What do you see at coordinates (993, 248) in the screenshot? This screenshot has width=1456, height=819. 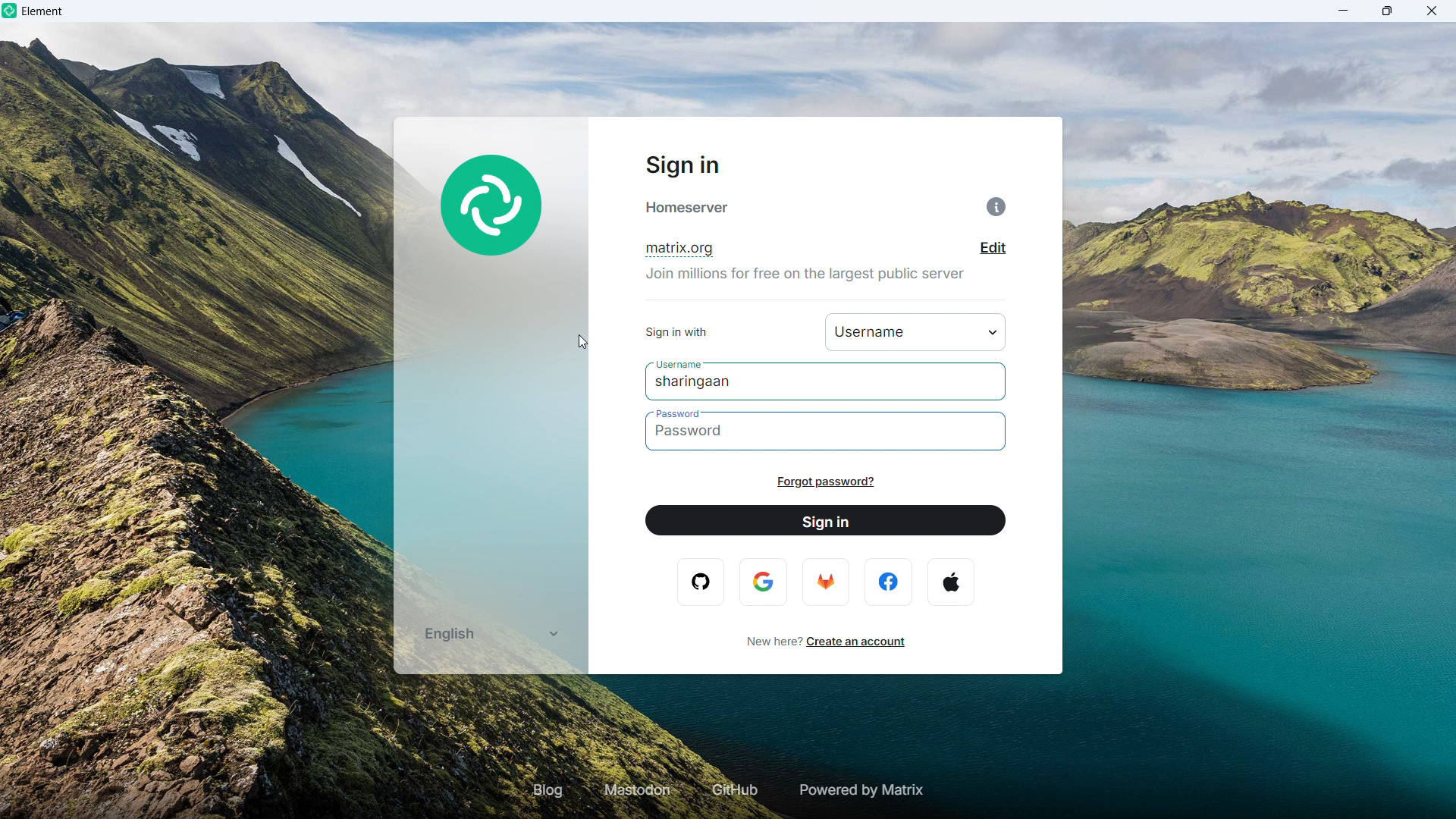 I see `Edit domain ` at bounding box center [993, 248].